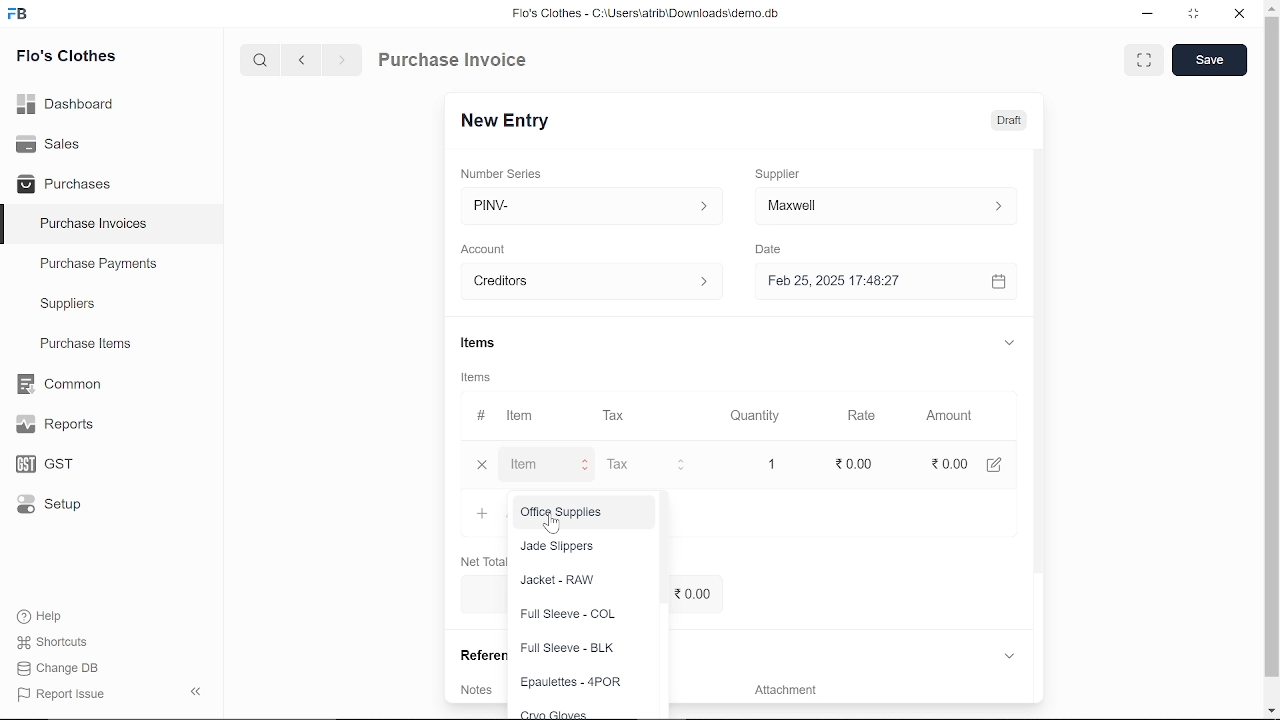 The width and height of the screenshot is (1280, 720). What do you see at coordinates (42, 616) in the screenshot?
I see `Help` at bounding box center [42, 616].